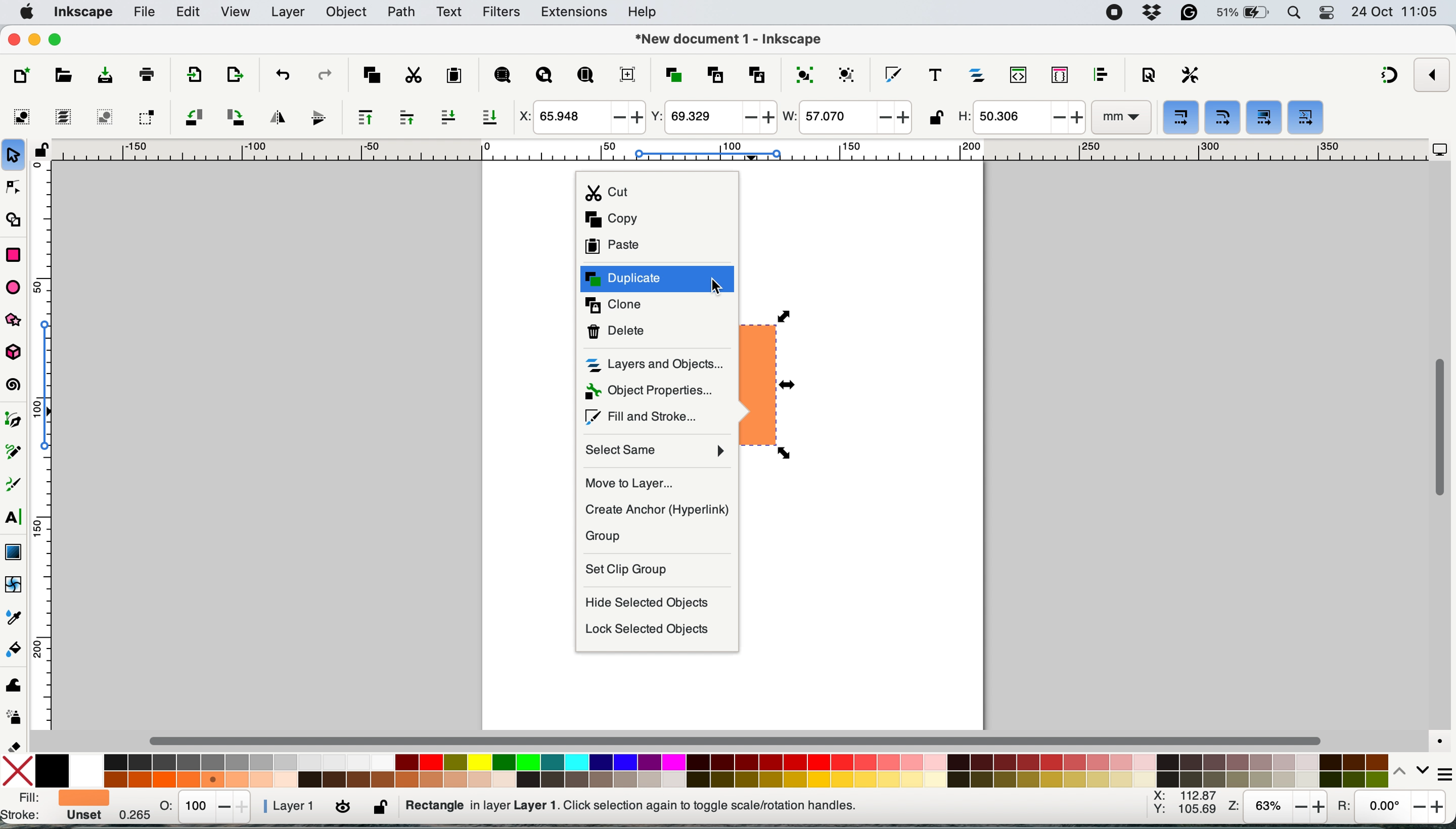  What do you see at coordinates (1329, 14) in the screenshot?
I see `control center` at bounding box center [1329, 14].